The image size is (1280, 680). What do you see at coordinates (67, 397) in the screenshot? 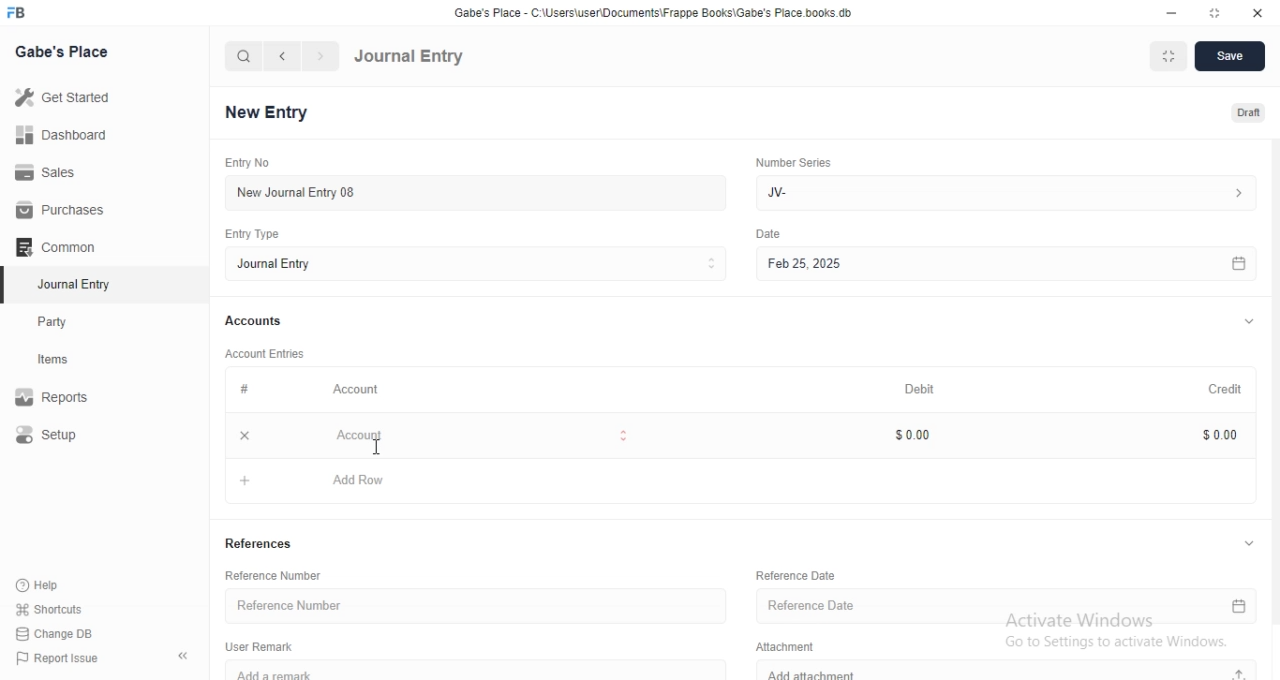
I see `Report` at bounding box center [67, 397].